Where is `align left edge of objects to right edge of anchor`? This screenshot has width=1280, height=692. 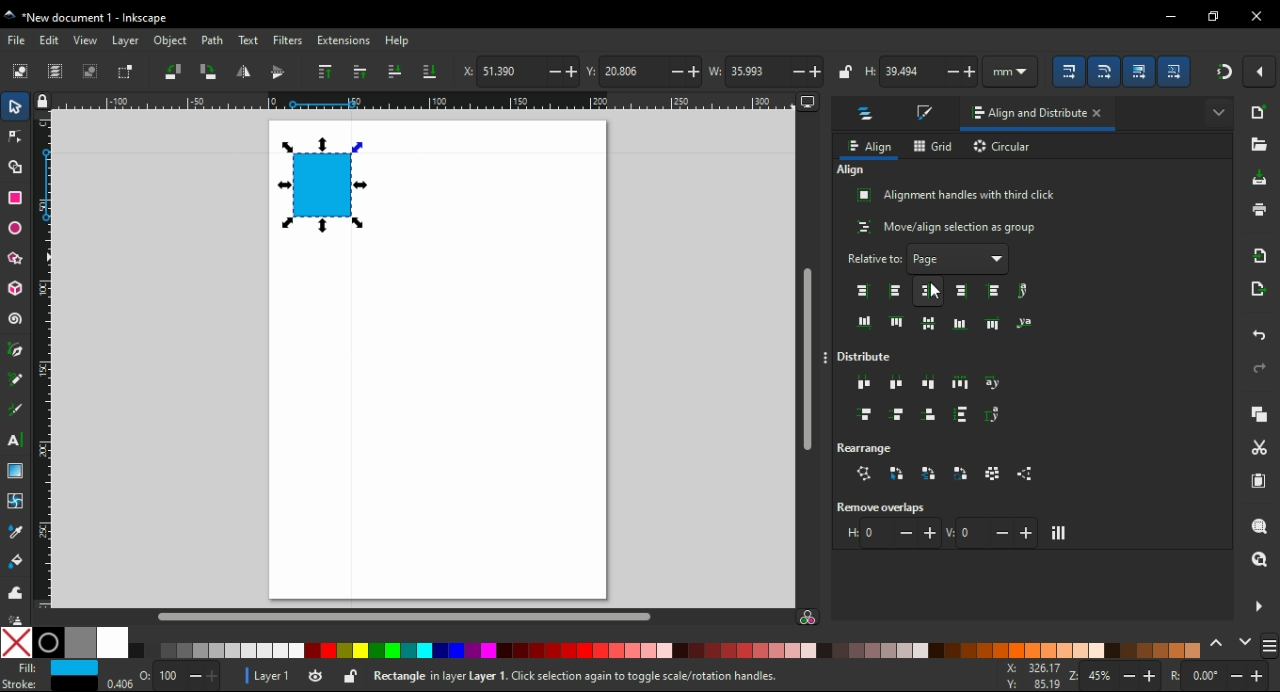 align left edge of objects to right edge of anchor is located at coordinates (996, 291).